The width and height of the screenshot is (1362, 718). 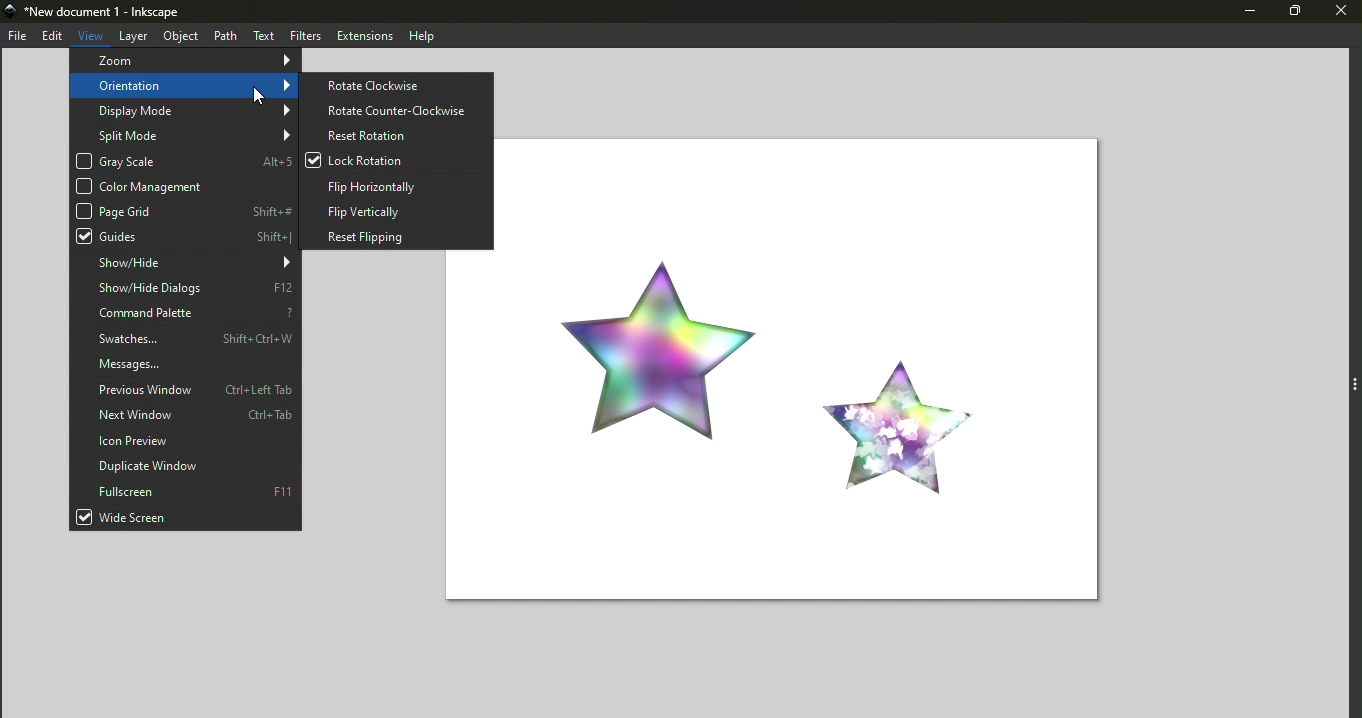 I want to click on Zoom, so click(x=182, y=61).